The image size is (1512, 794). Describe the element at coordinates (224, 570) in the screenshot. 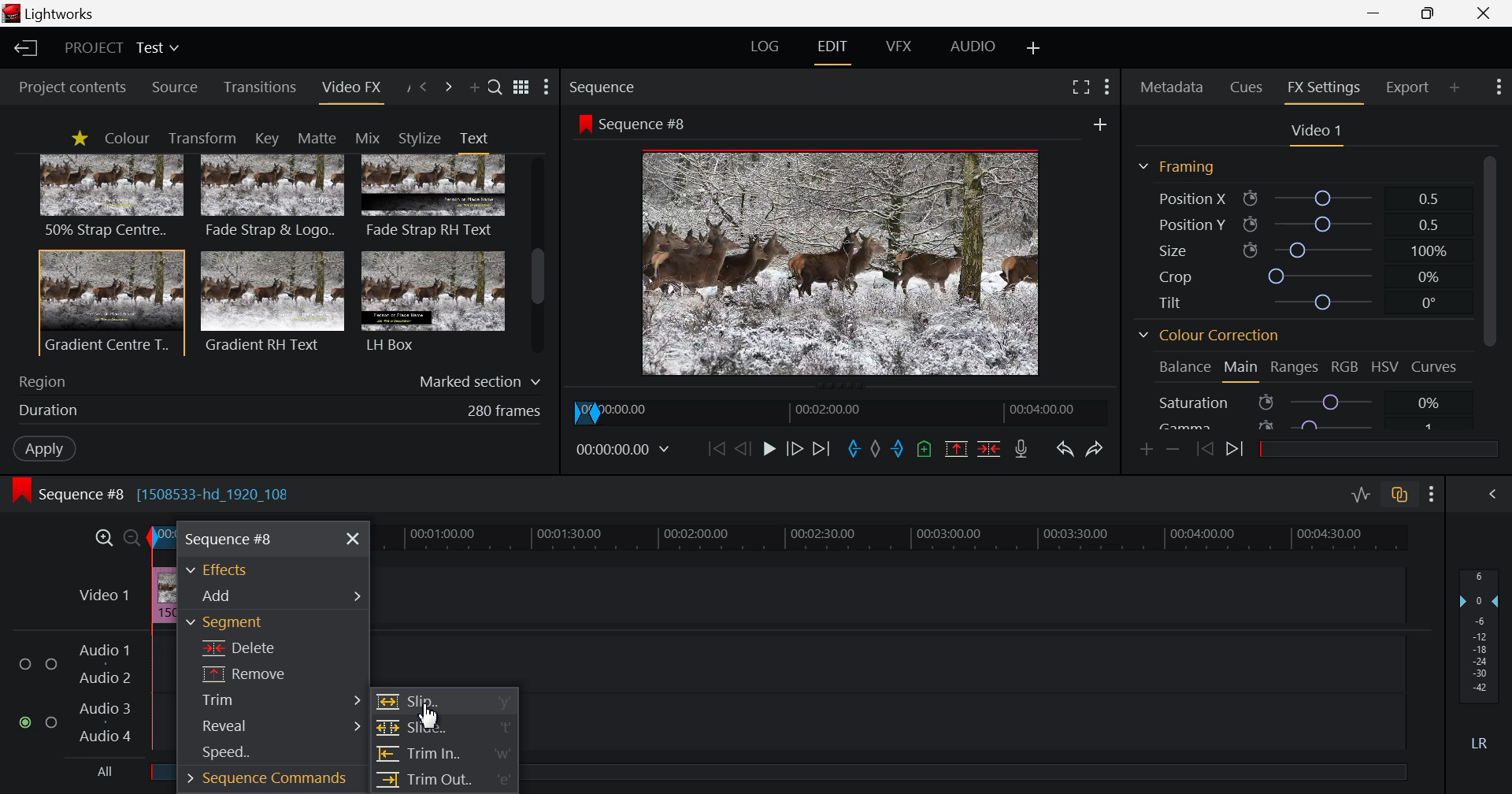

I see `Effects` at that location.